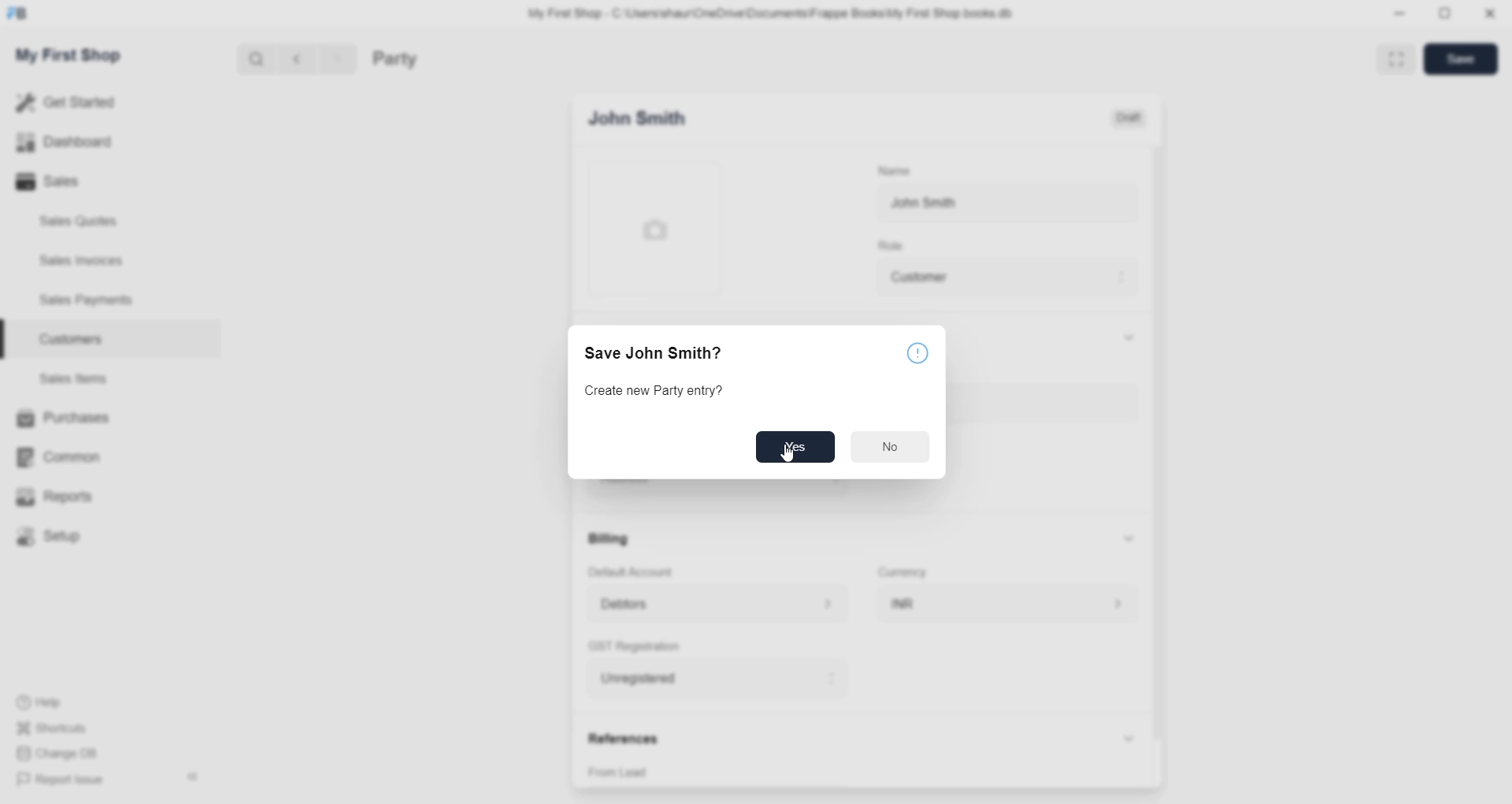 The image size is (1512, 804). What do you see at coordinates (835, 597) in the screenshot?
I see `move to above address` at bounding box center [835, 597].